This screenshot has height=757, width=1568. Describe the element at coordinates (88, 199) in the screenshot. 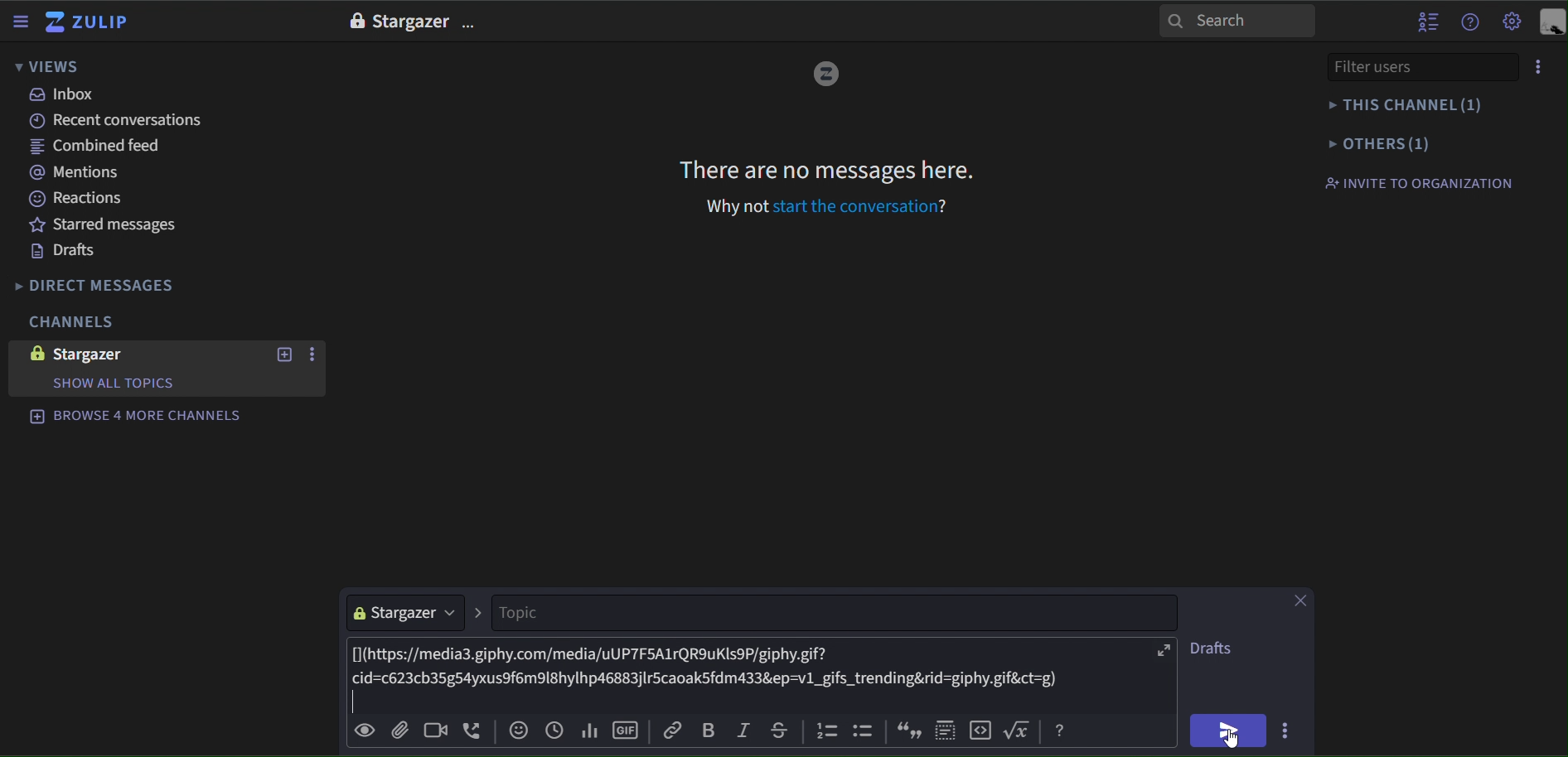

I see `reactions` at that location.